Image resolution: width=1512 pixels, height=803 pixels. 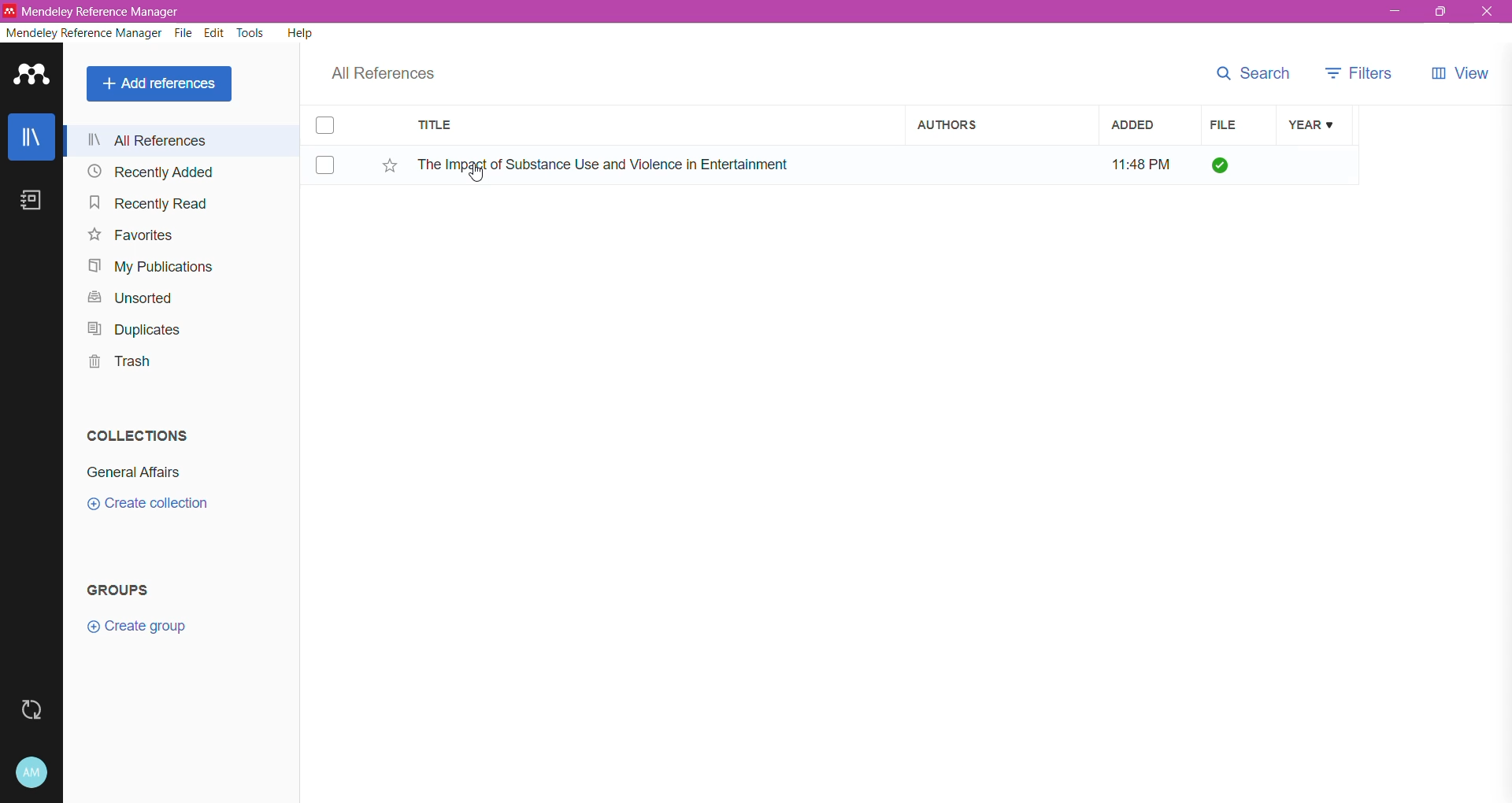 What do you see at coordinates (121, 367) in the screenshot?
I see `Trash` at bounding box center [121, 367].